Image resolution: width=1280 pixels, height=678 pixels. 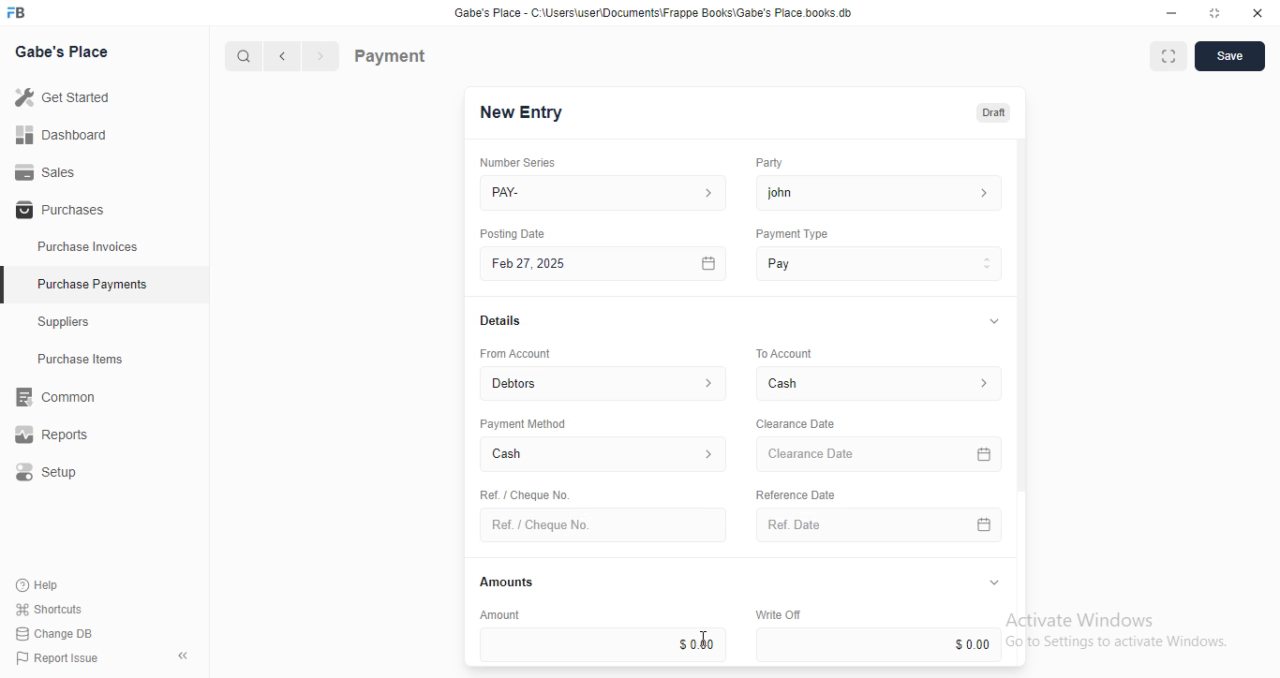 What do you see at coordinates (497, 614) in the screenshot?
I see `Amount` at bounding box center [497, 614].